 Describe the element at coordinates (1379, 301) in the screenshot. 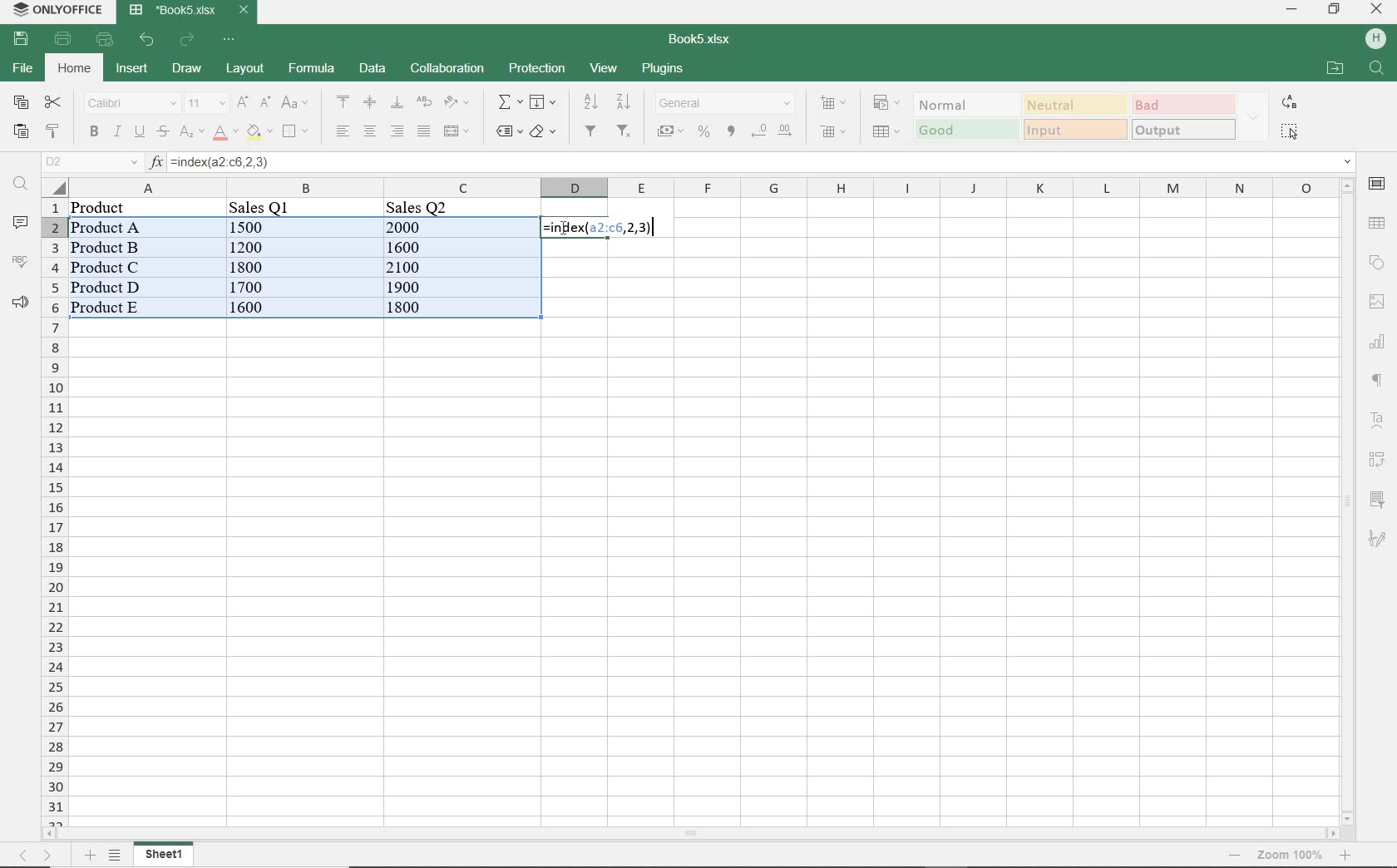

I see `image` at that location.